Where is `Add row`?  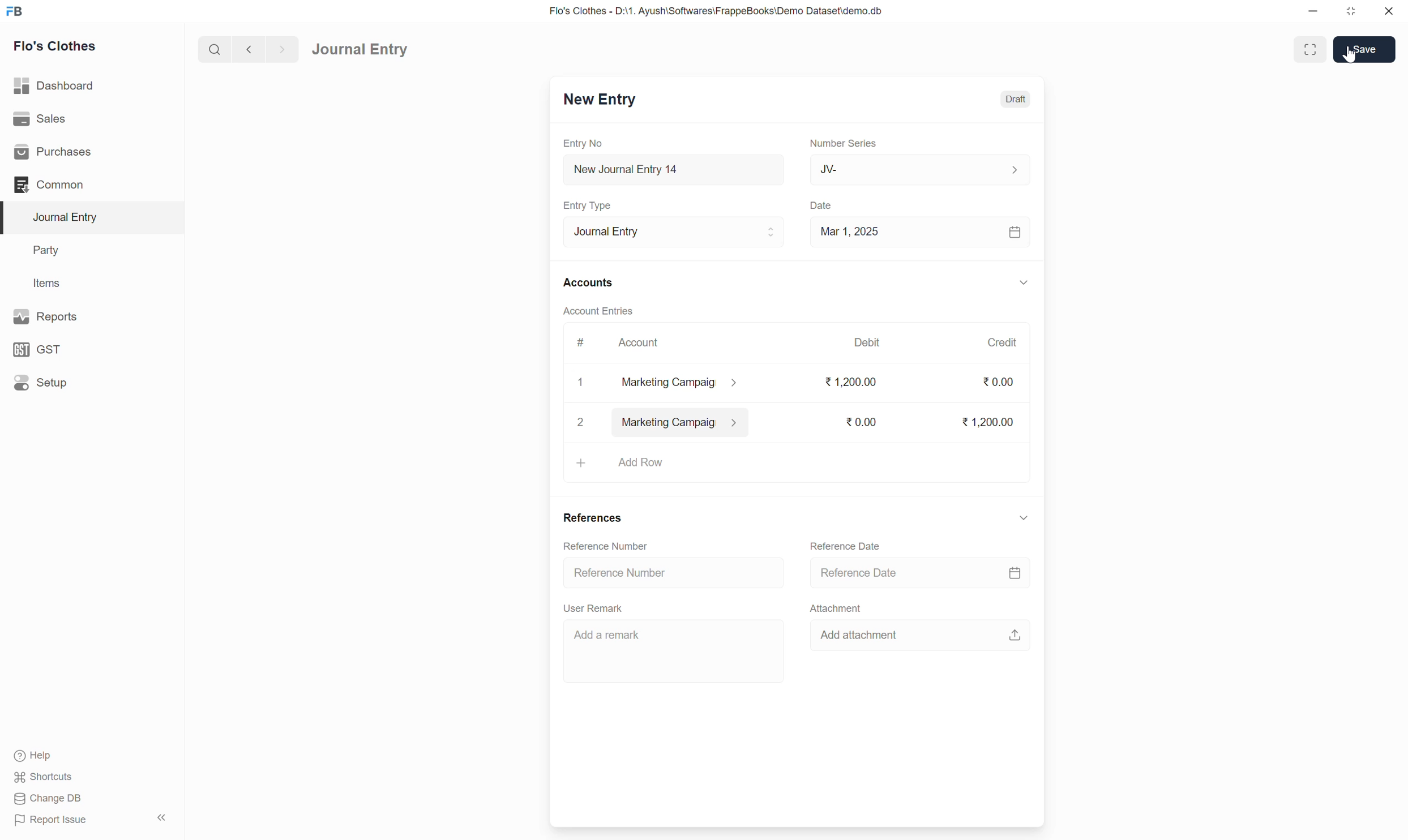 Add row is located at coordinates (640, 462).